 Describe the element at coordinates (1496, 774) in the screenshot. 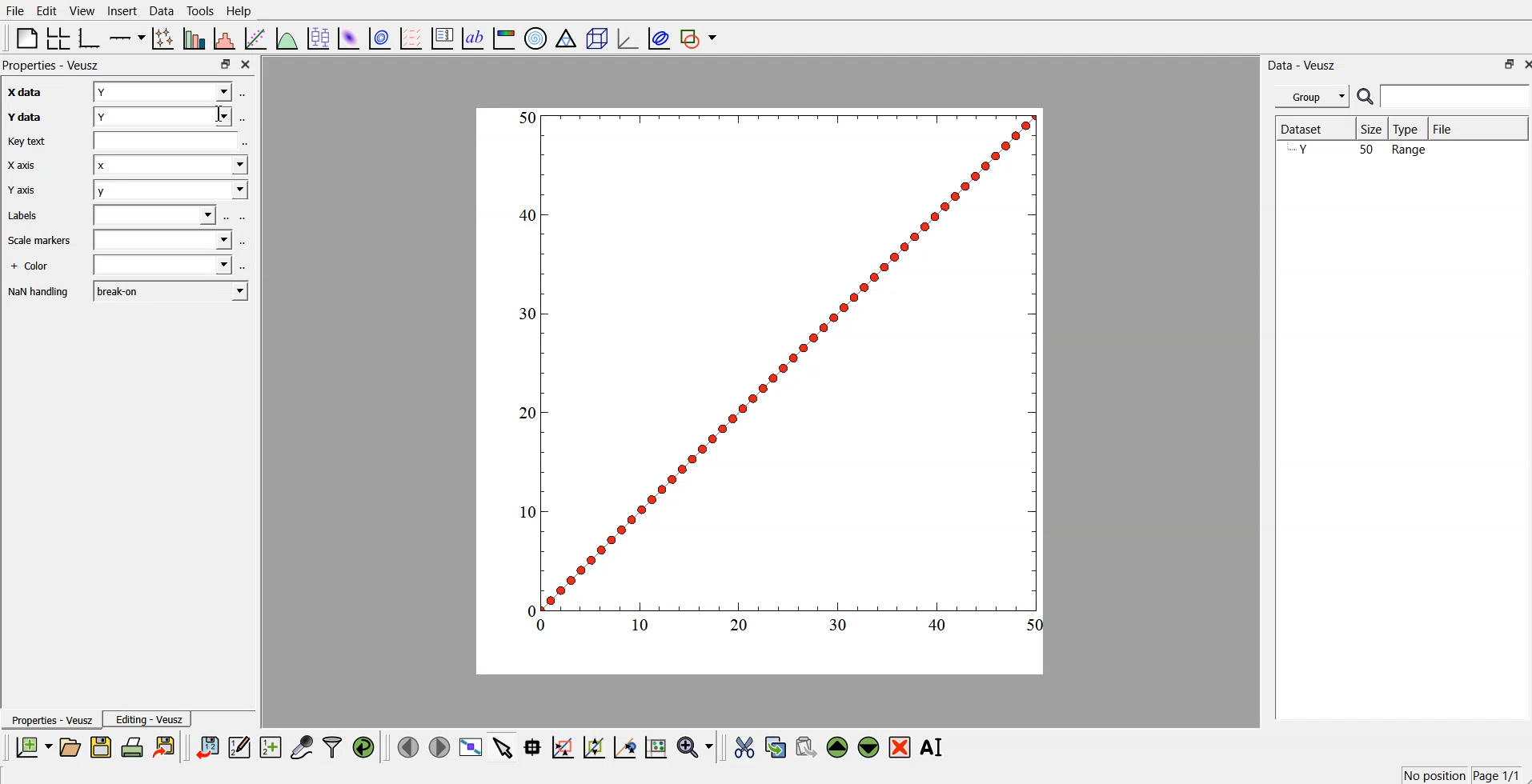

I see `Page 1/1 ` at that location.